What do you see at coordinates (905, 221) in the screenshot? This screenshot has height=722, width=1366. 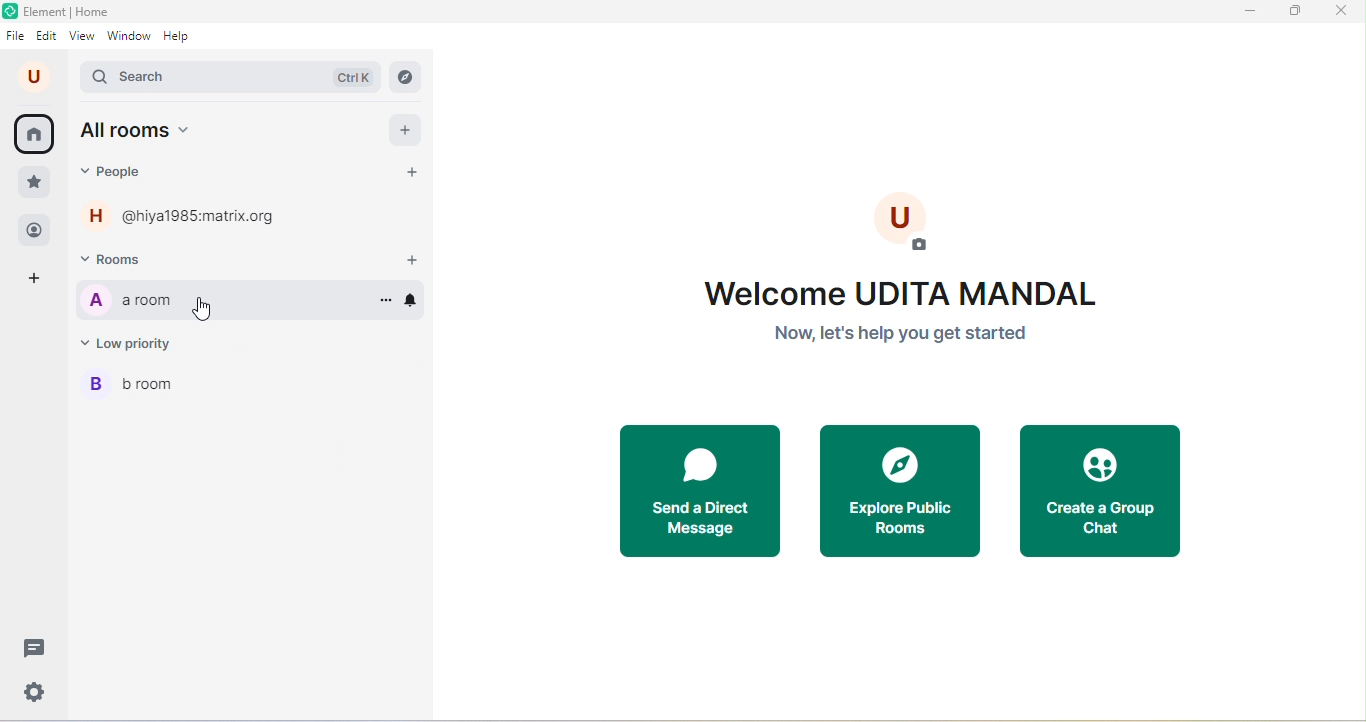 I see `add profile photo` at bounding box center [905, 221].